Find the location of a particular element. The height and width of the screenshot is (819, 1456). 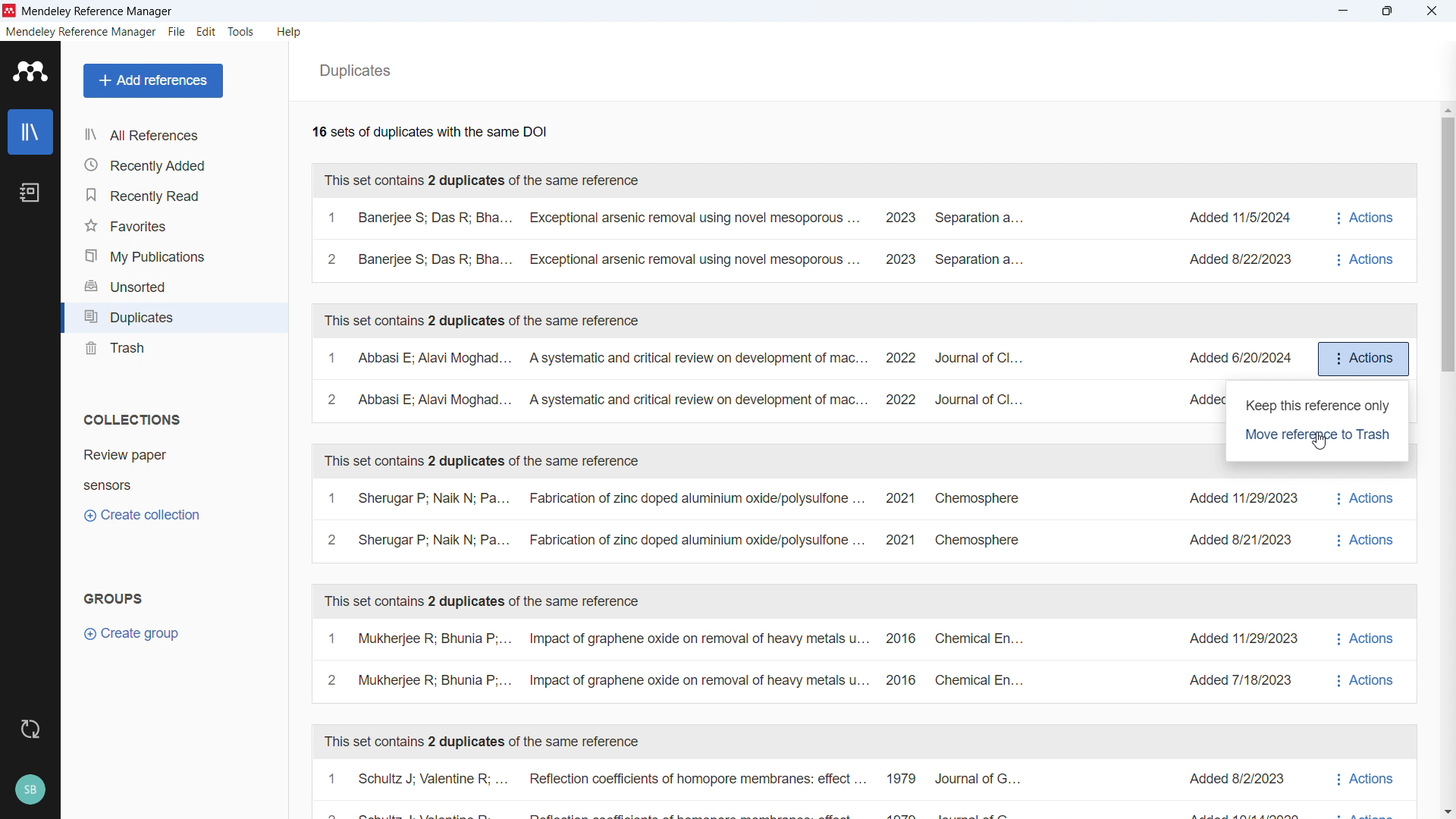

Create collection  is located at coordinates (145, 516).